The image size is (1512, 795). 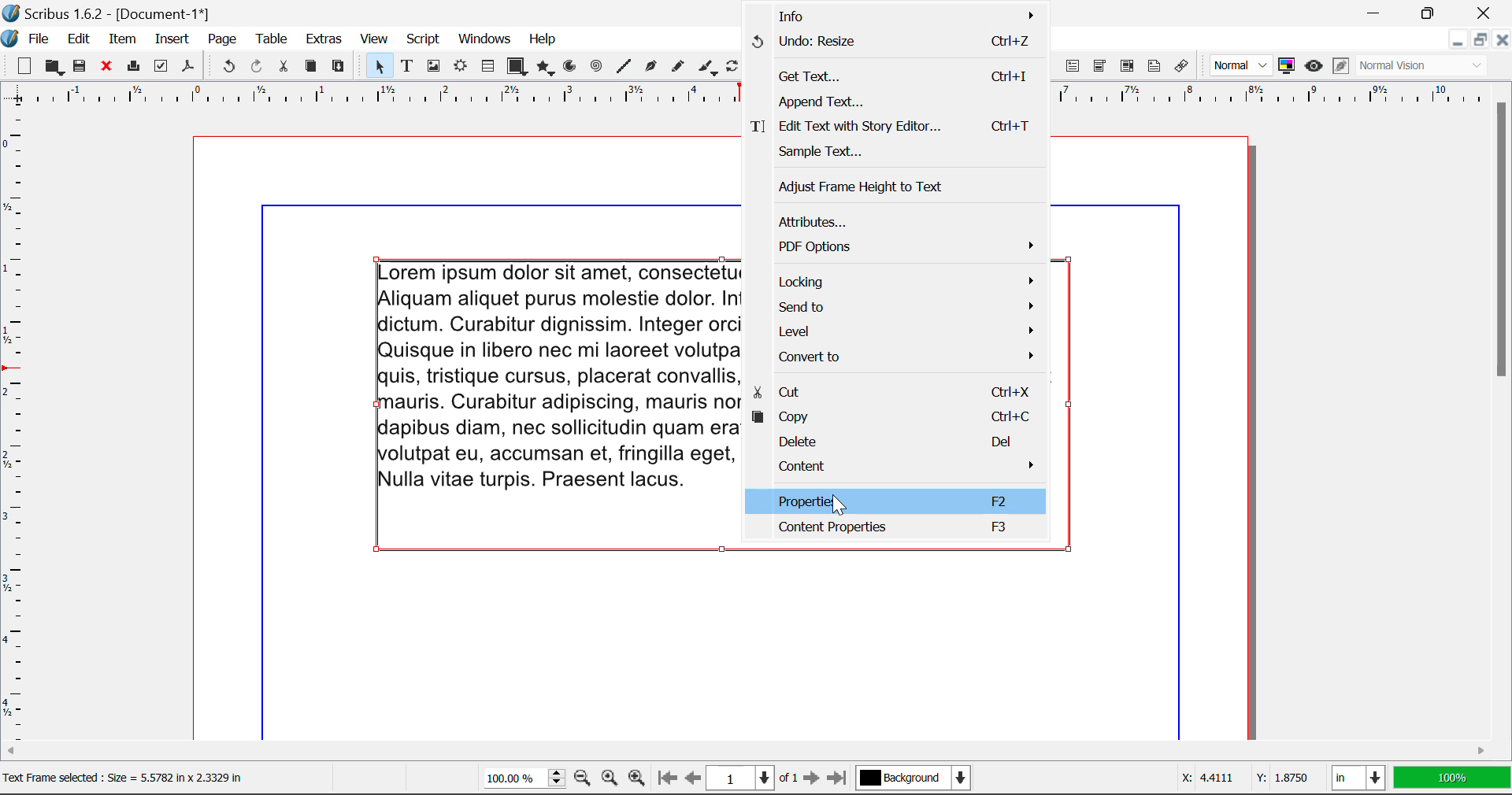 What do you see at coordinates (1487, 11) in the screenshot?
I see `Close` at bounding box center [1487, 11].